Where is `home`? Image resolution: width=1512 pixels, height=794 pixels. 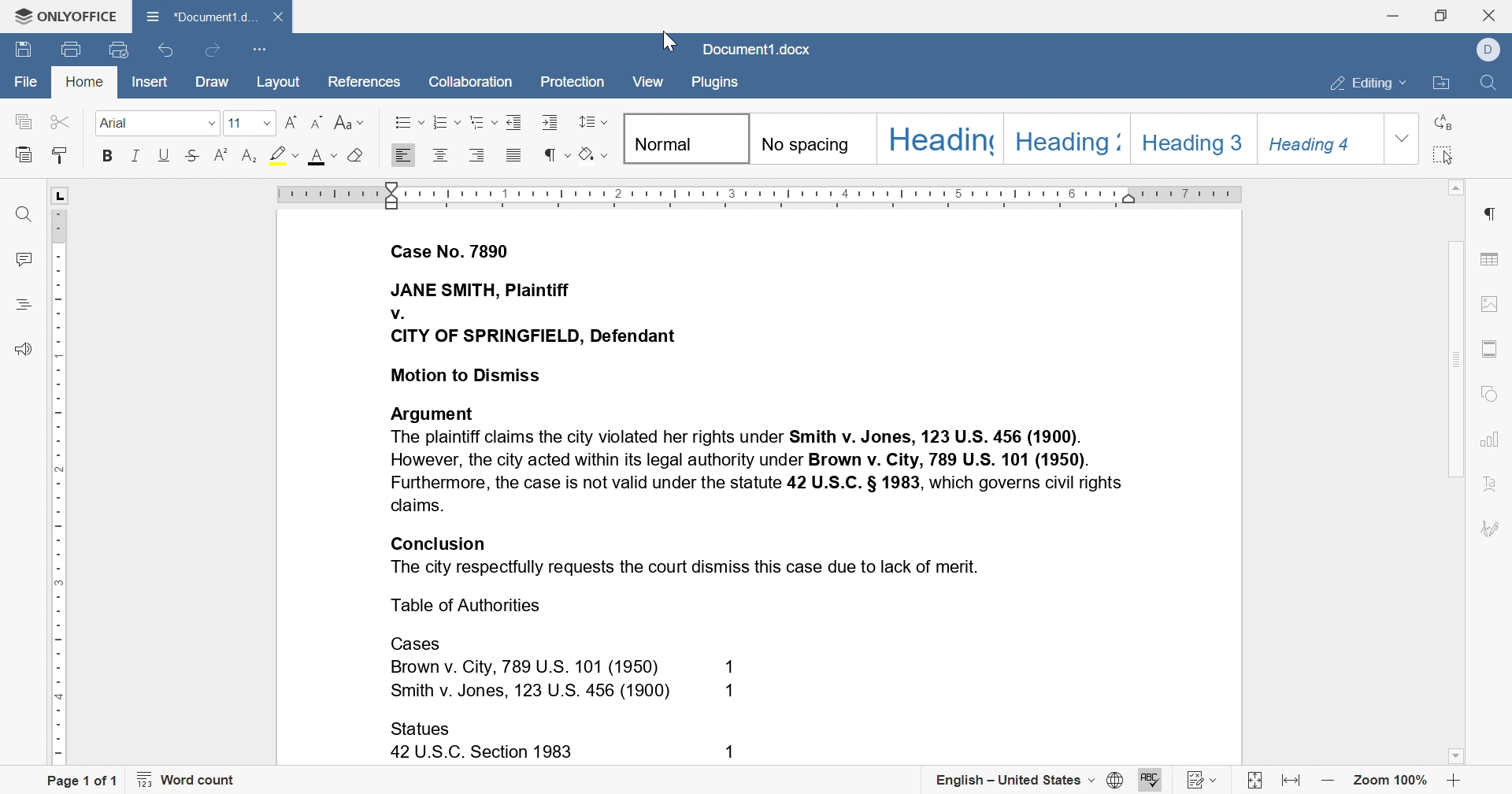 home is located at coordinates (83, 83).